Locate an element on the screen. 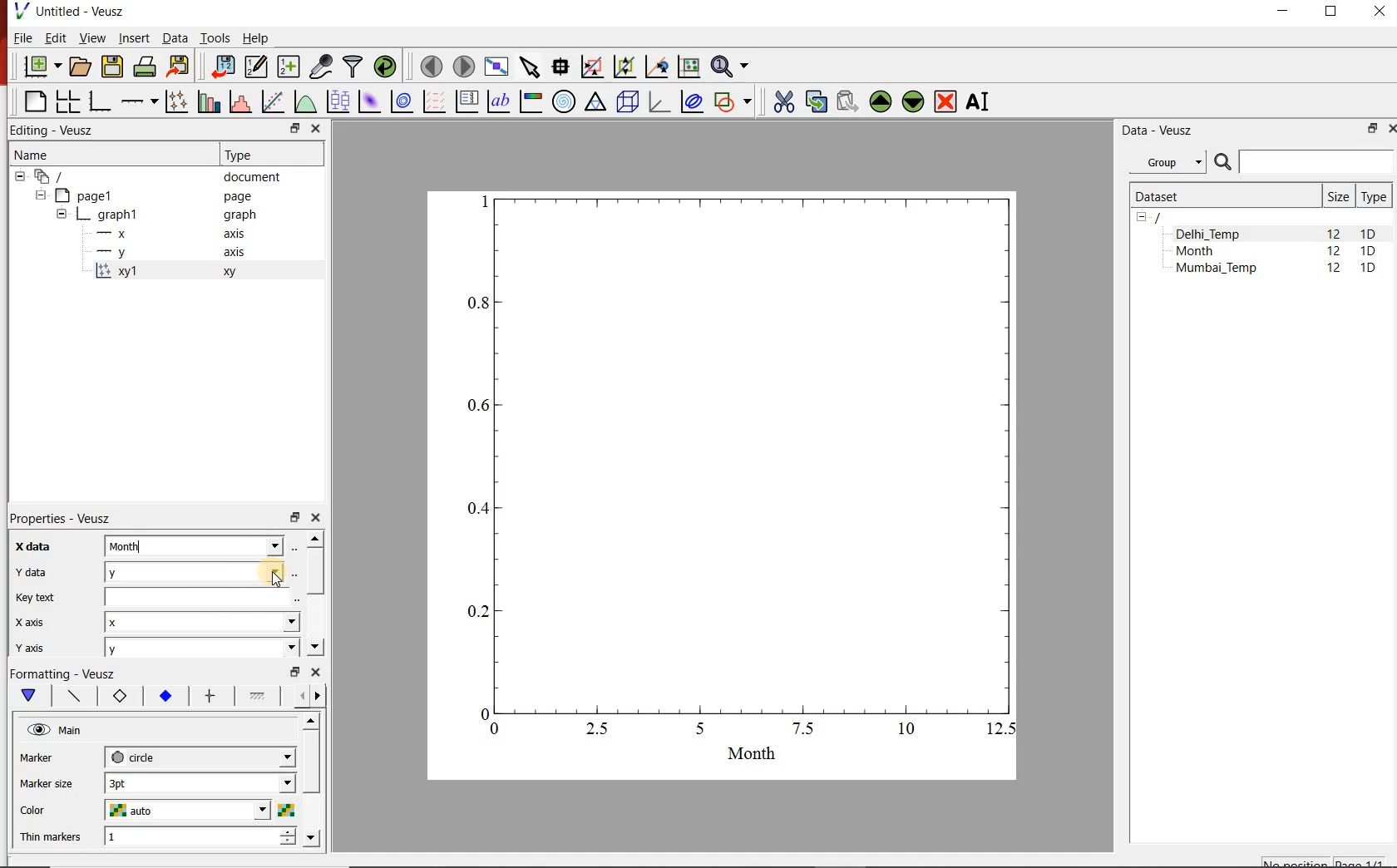 This screenshot has height=868, width=1397. Marker size is located at coordinates (47, 785).